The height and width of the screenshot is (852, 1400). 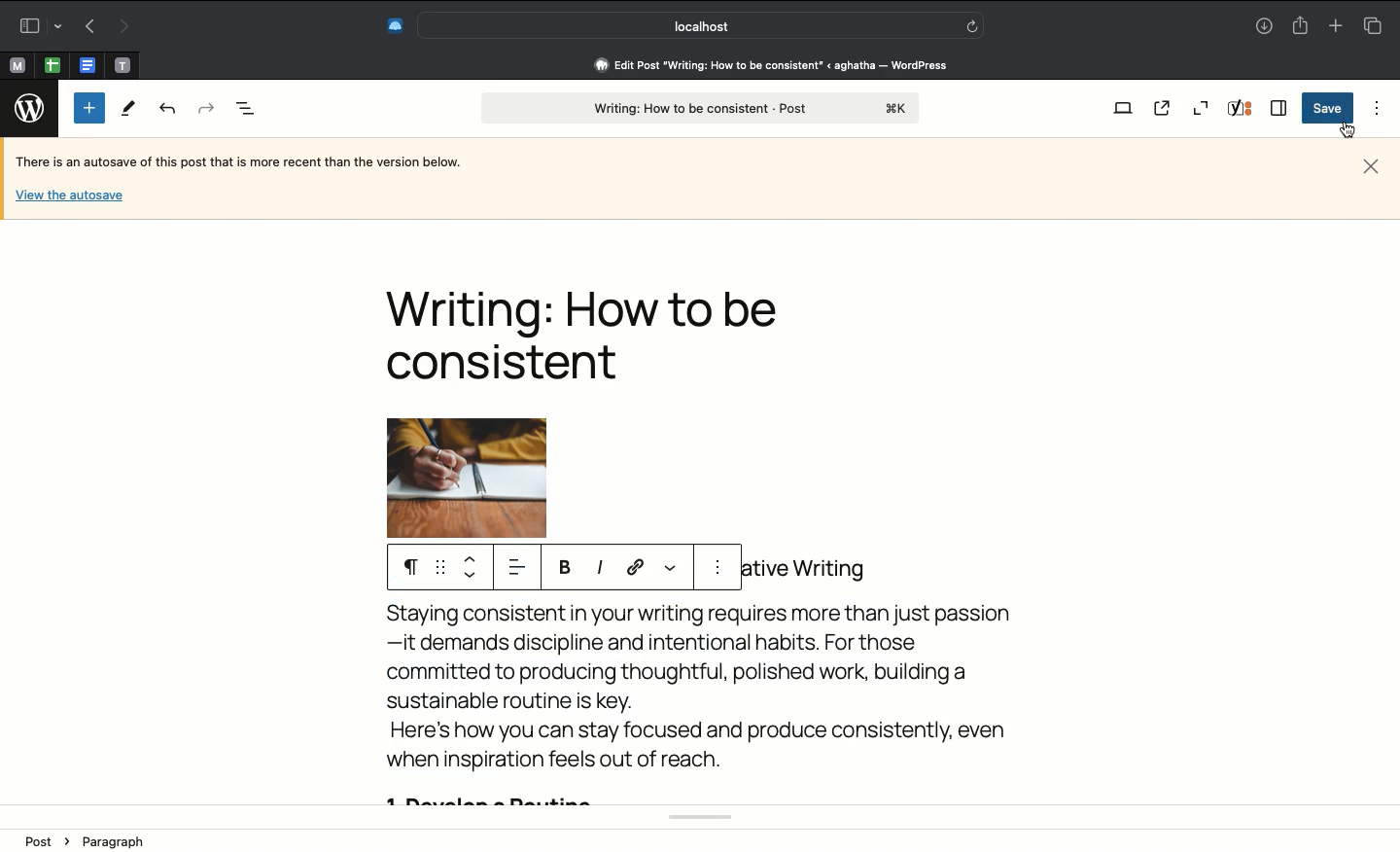 I want to click on Tools, so click(x=129, y=110).